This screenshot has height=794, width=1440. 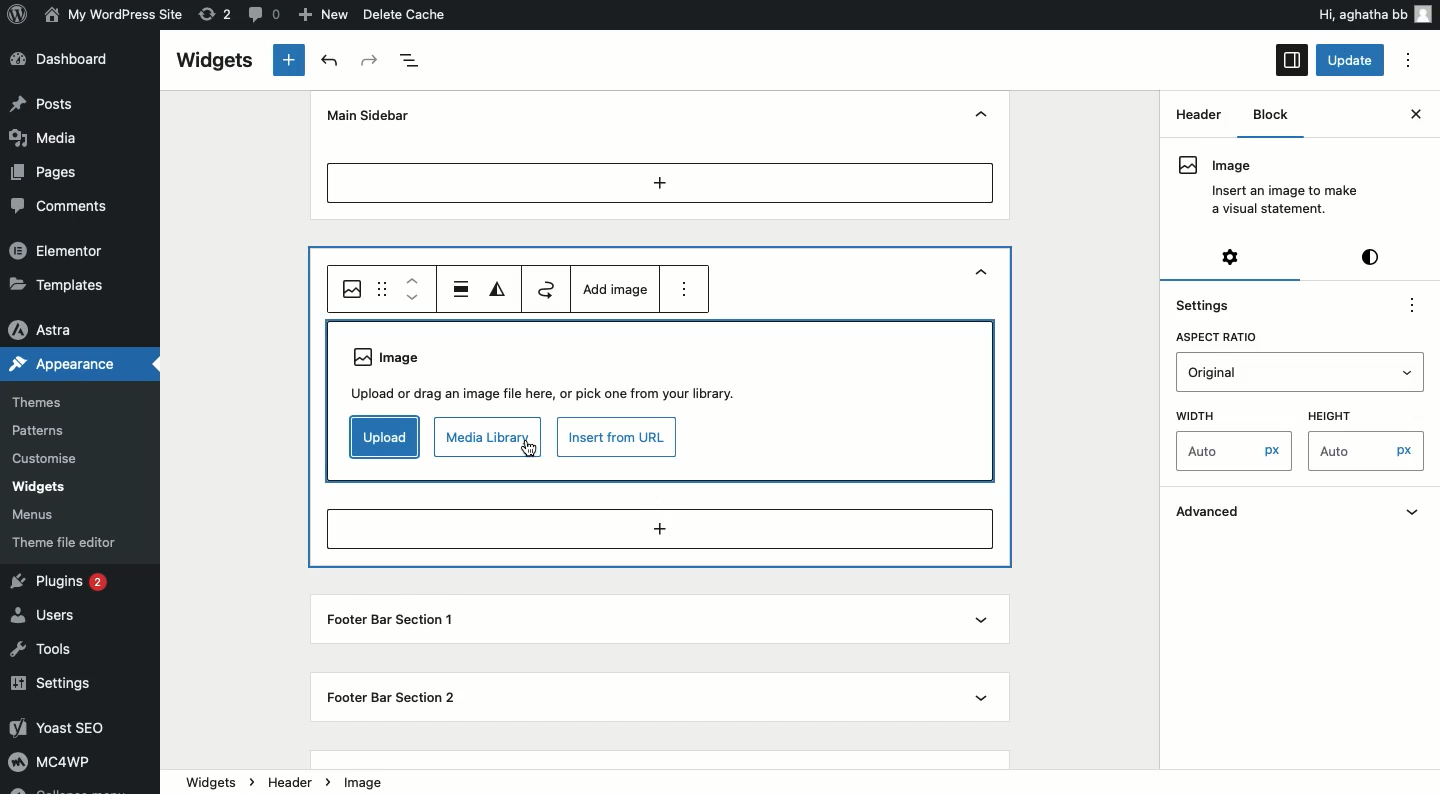 I want to click on Advance, so click(x=1300, y=513).